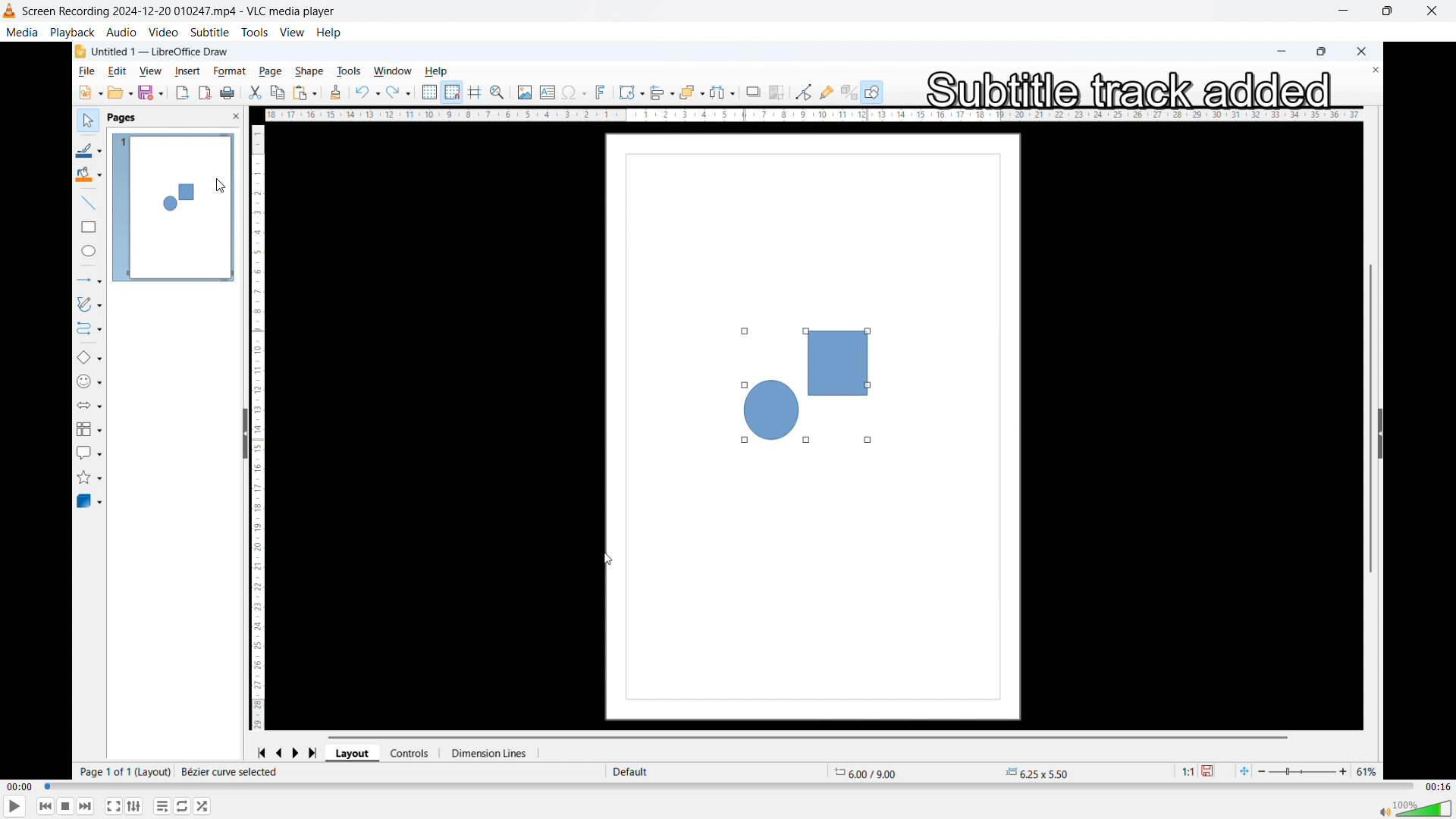 The height and width of the screenshot is (819, 1456). I want to click on Toggle playlist , so click(162, 807).